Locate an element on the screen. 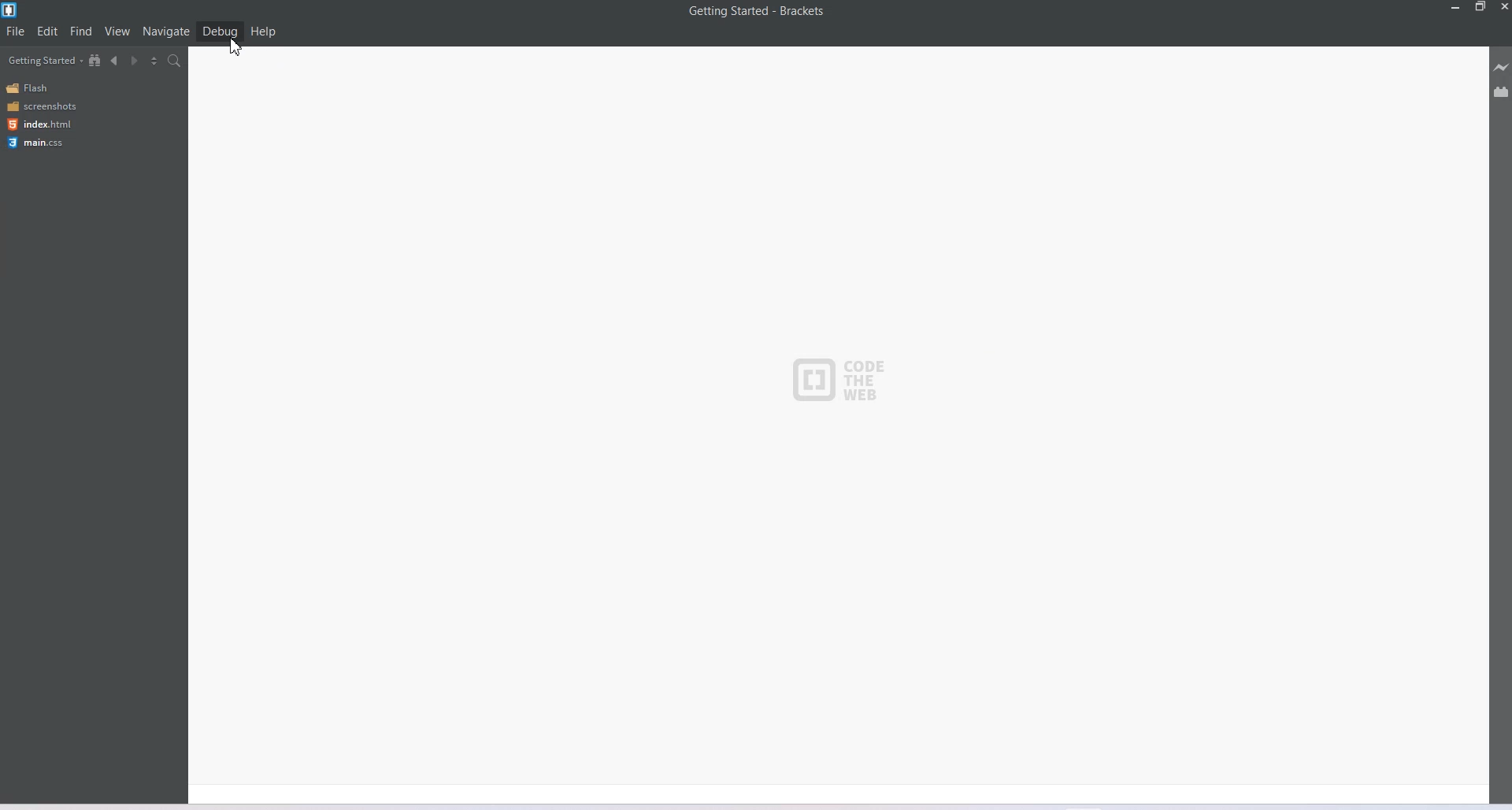 This screenshot has height=810, width=1512. Navigate Backwards is located at coordinates (115, 61).